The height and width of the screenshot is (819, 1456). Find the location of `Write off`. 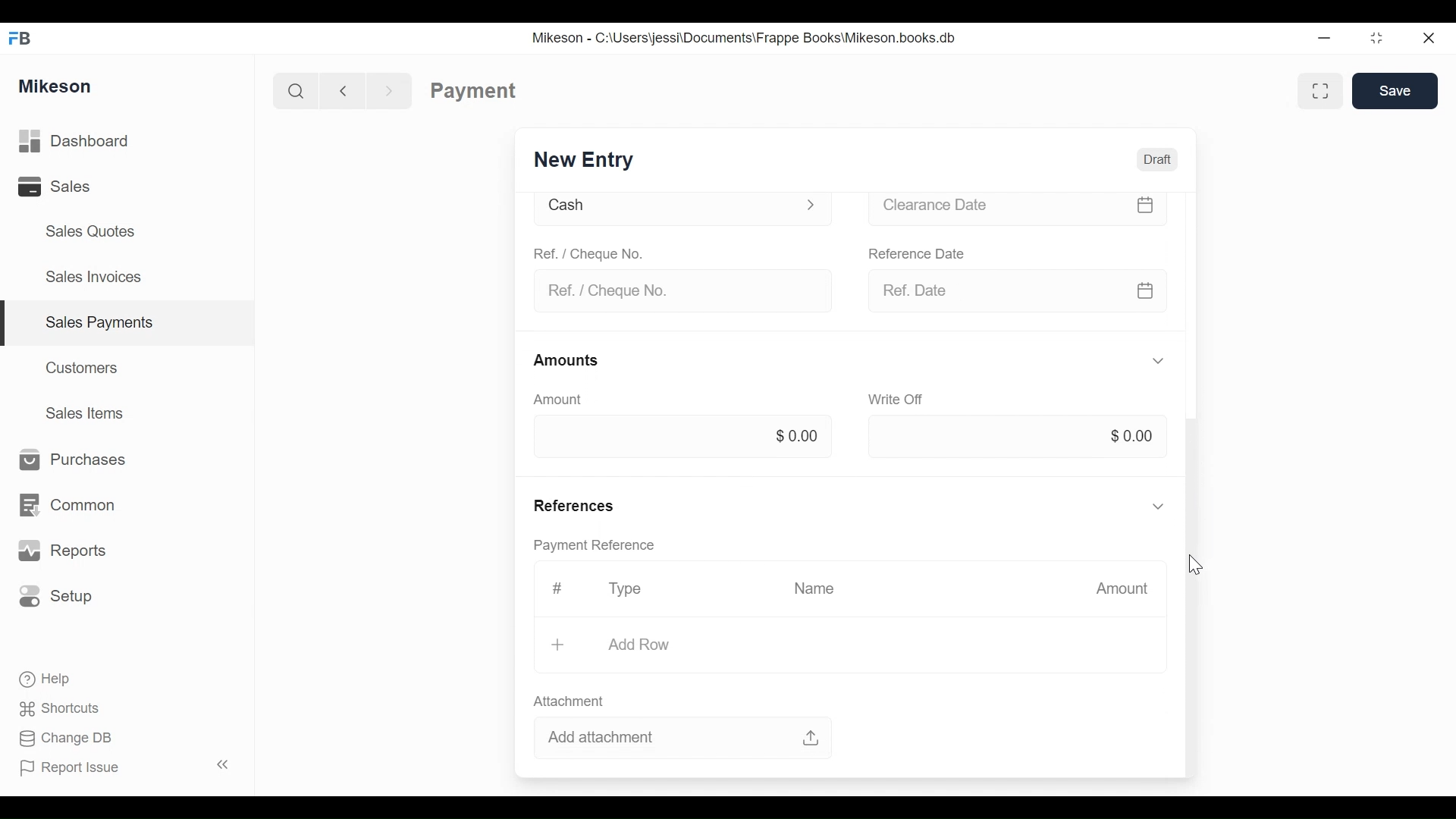

Write off is located at coordinates (898, 401).